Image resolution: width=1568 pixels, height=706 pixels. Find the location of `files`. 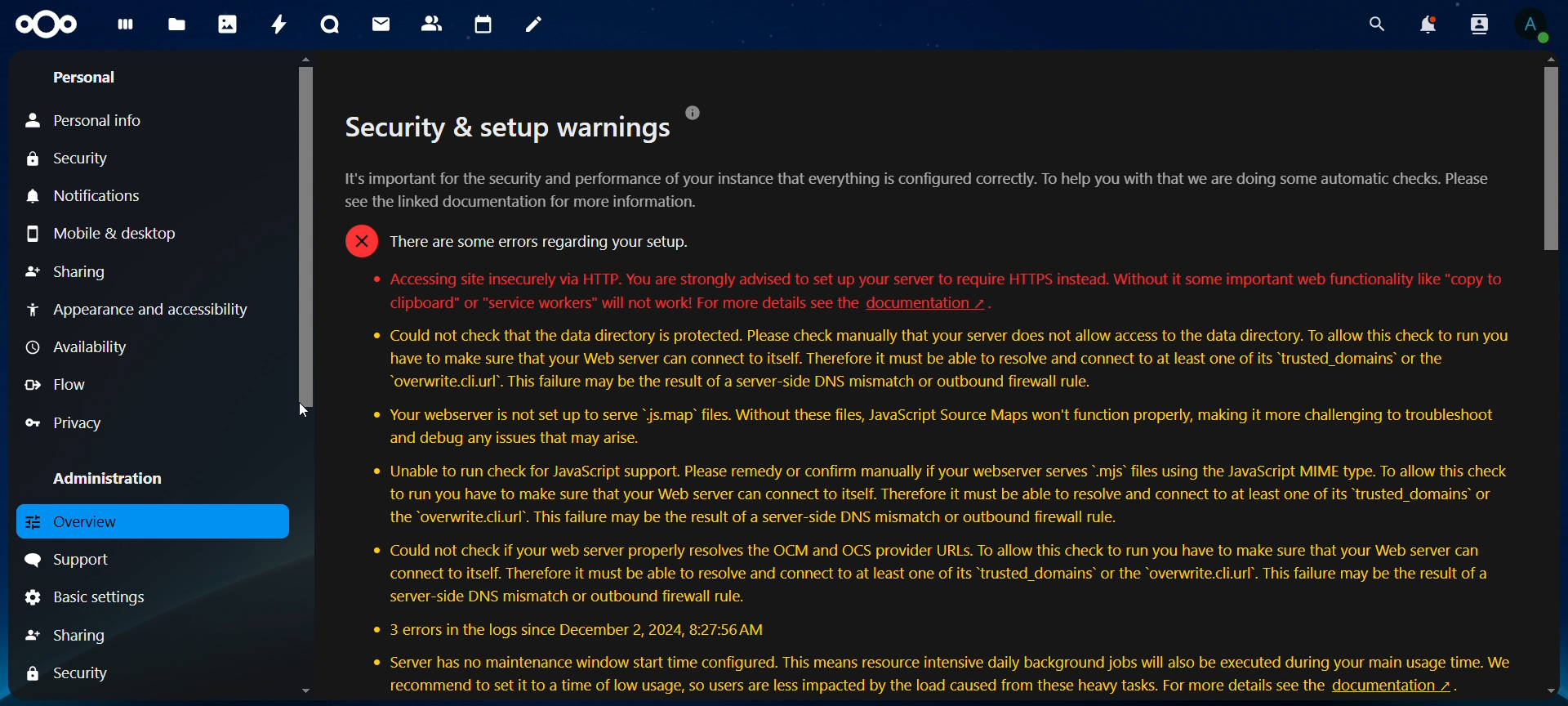

files is located at coordinates (177, 26).